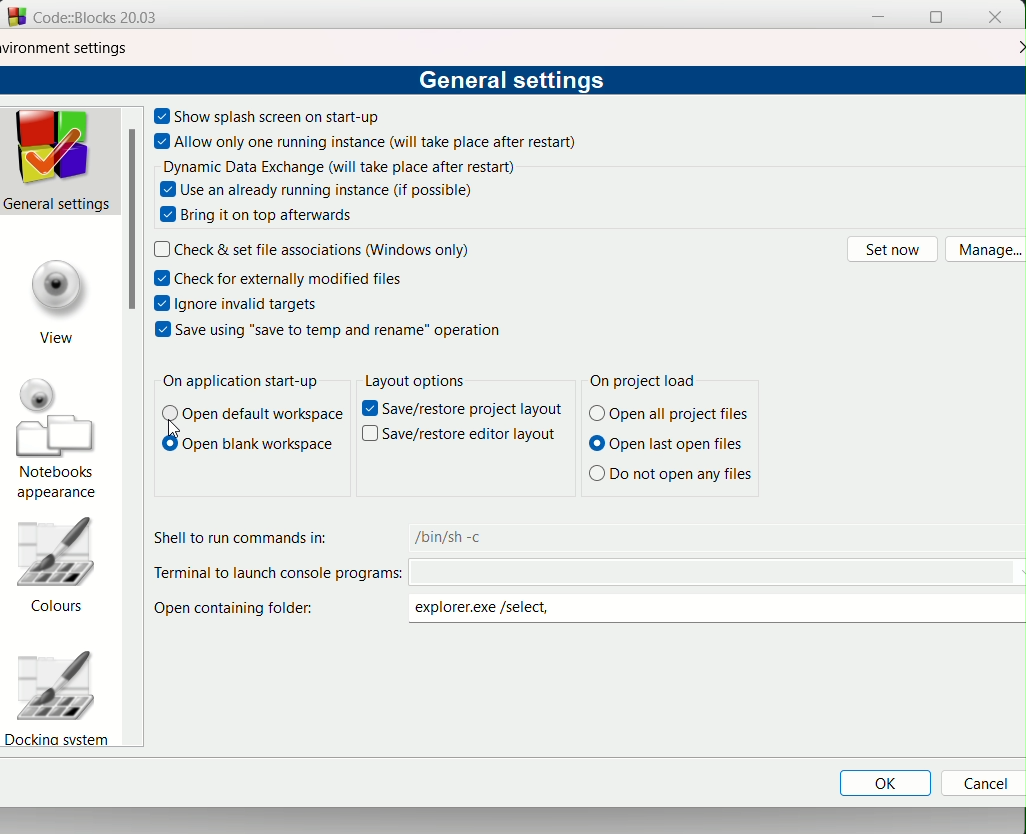 This screenshot has width=1026, height=834. Describe the element at coordinates (65, 567) in the screenshot. I see `colours` at that location.